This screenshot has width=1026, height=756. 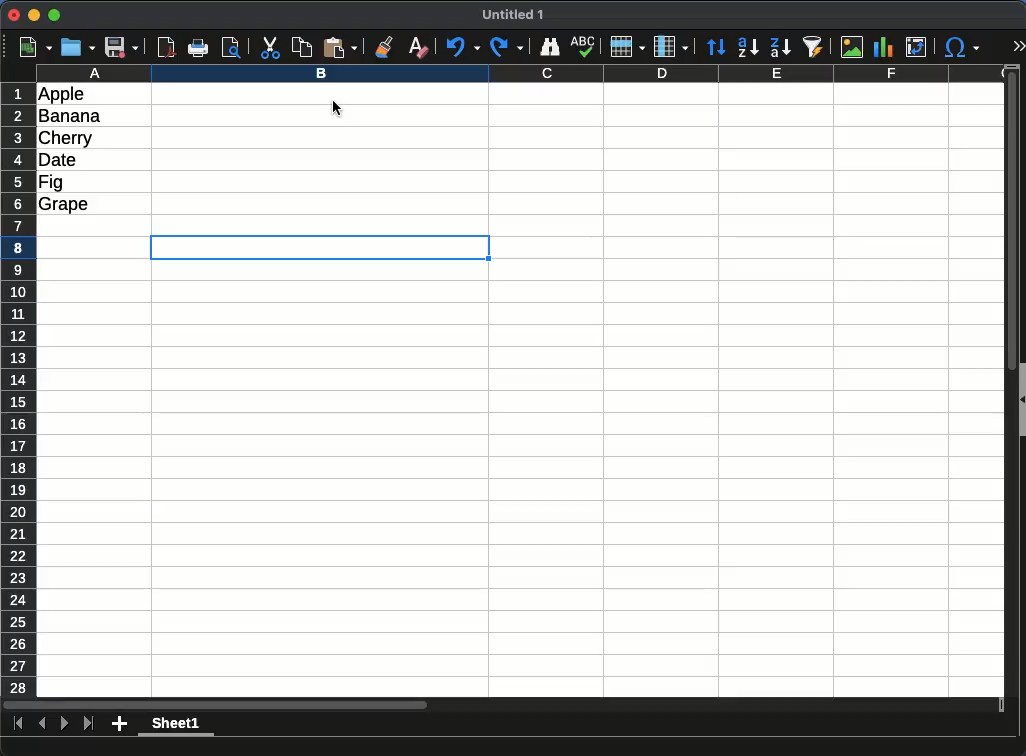 What do you see at coordinates (507, 47) in the screenshot?
I see `redo` at bounding box center [507, 47].